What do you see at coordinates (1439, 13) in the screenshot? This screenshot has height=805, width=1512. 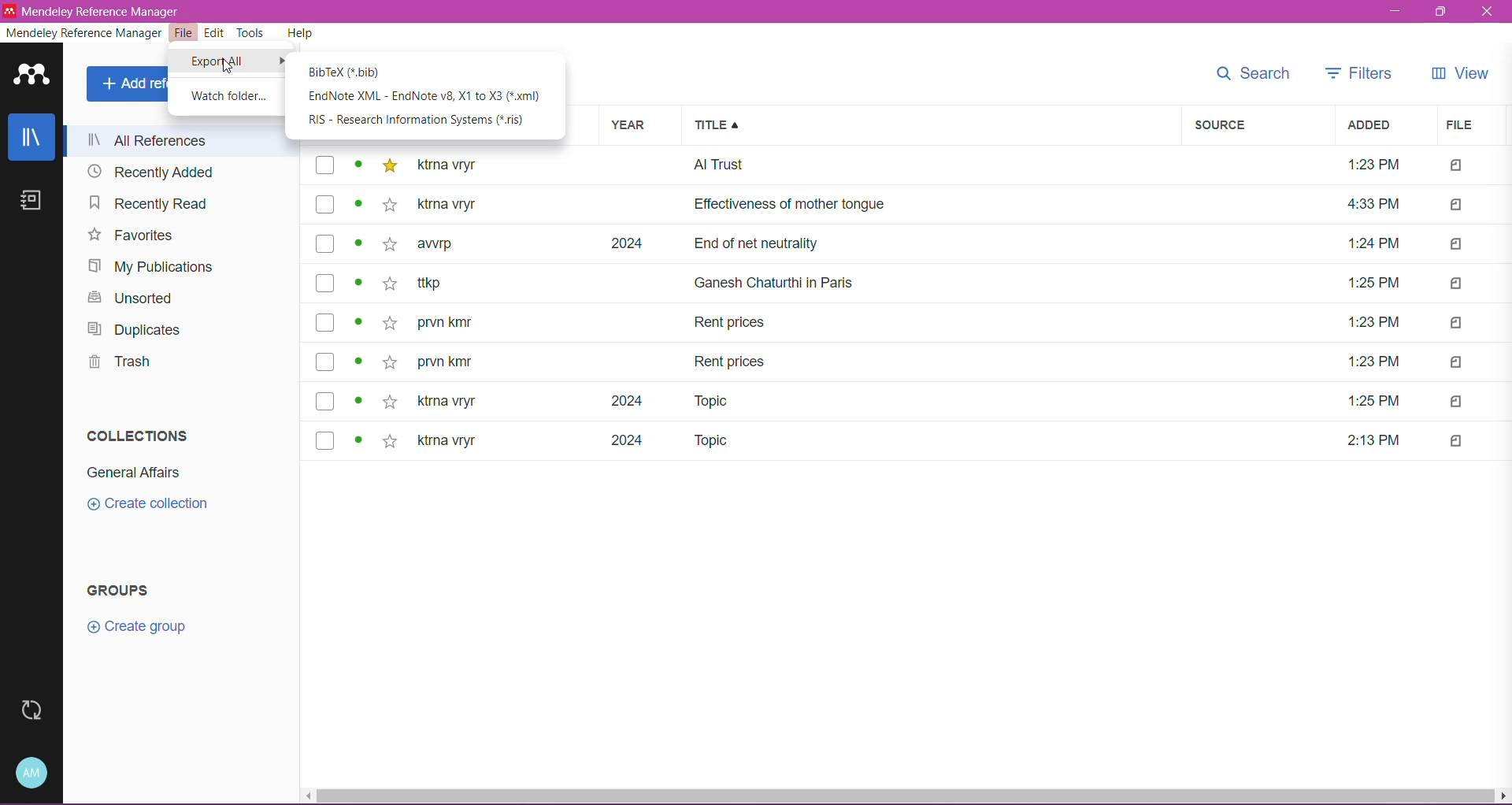 I see `Restore Down` at bounding box center [1439, 13].